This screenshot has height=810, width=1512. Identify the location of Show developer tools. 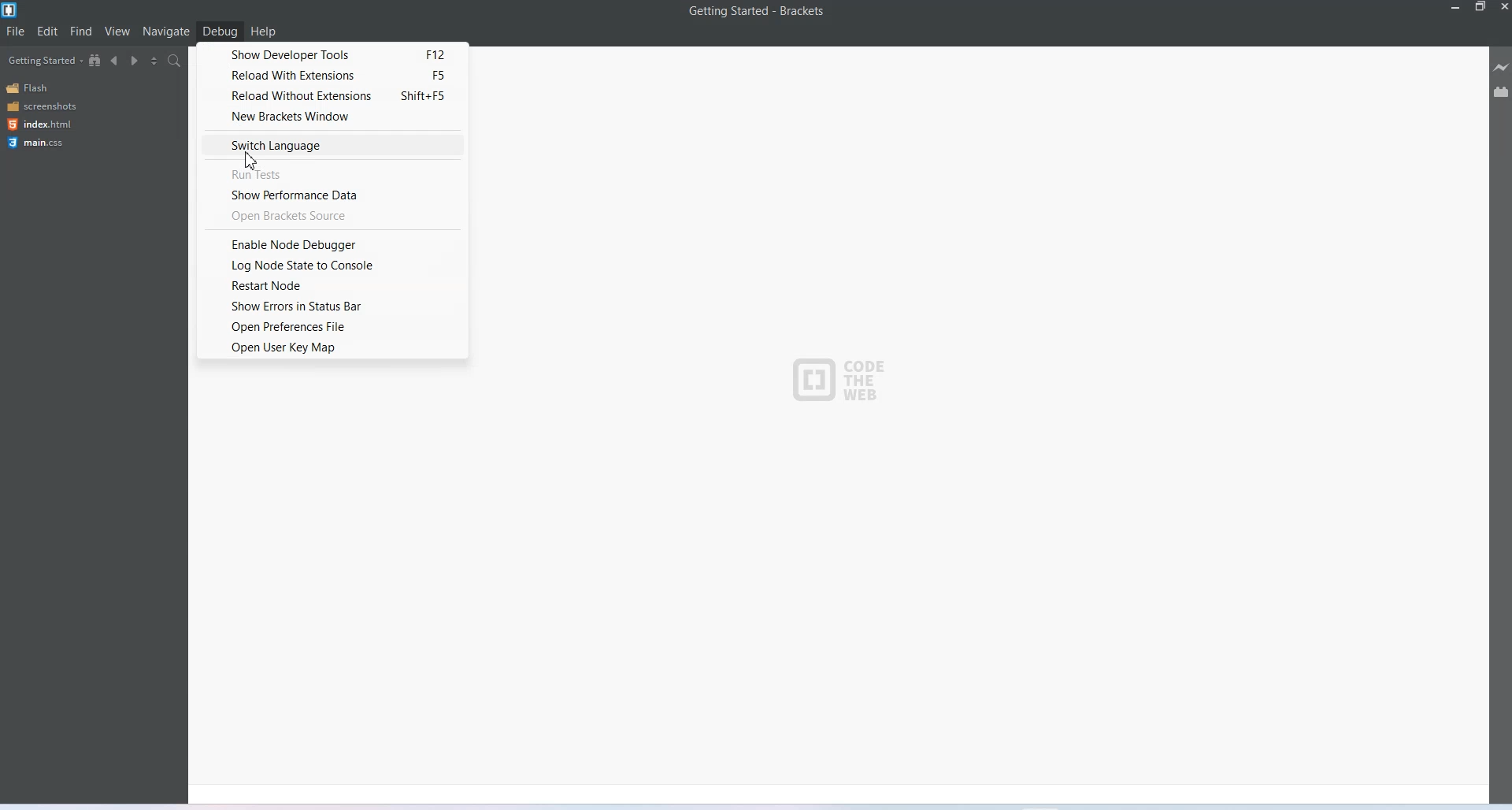
(331, 54).